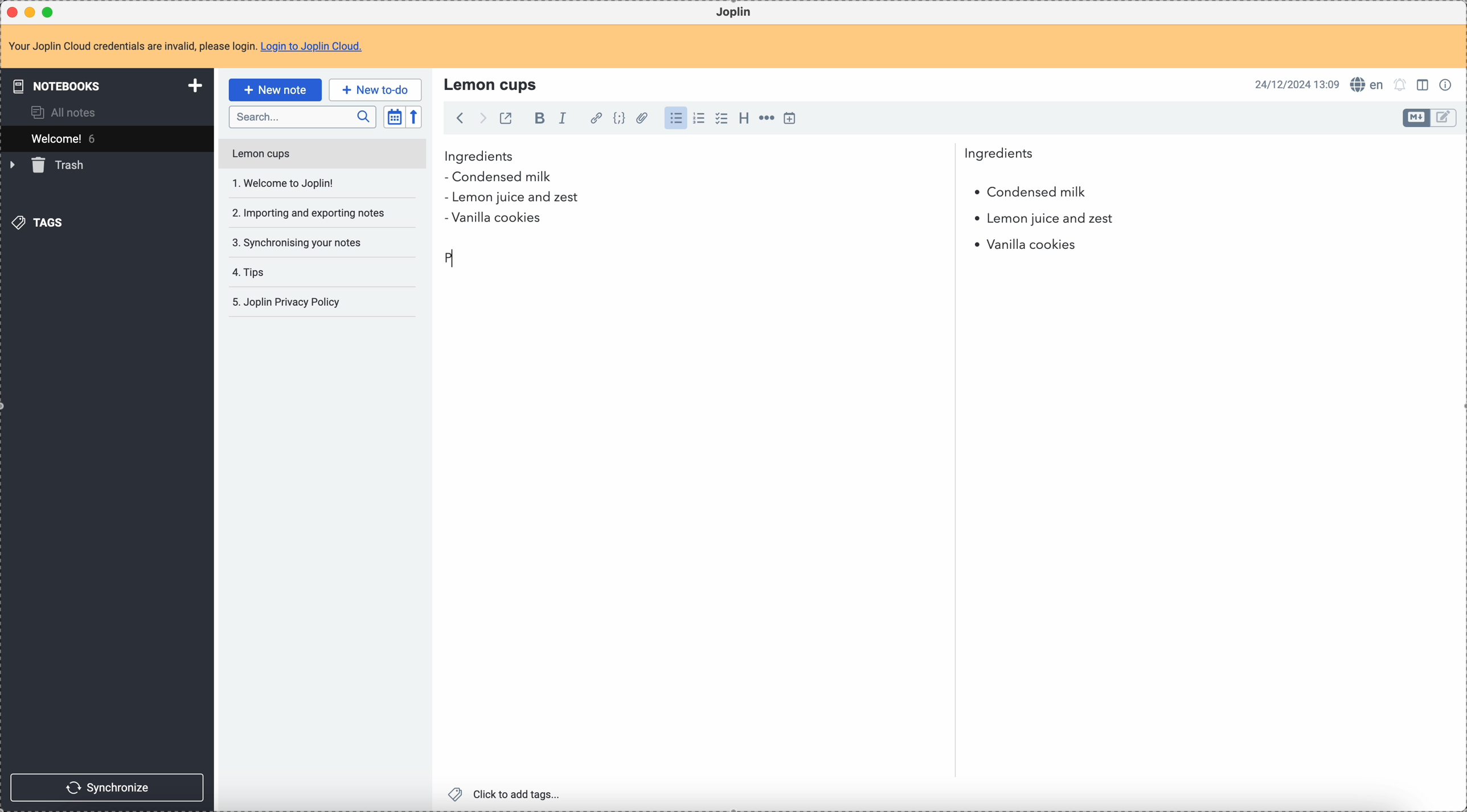  Describe the element at coordinates (321, 156) in the screenshot. I see `lemon cups` at that location.